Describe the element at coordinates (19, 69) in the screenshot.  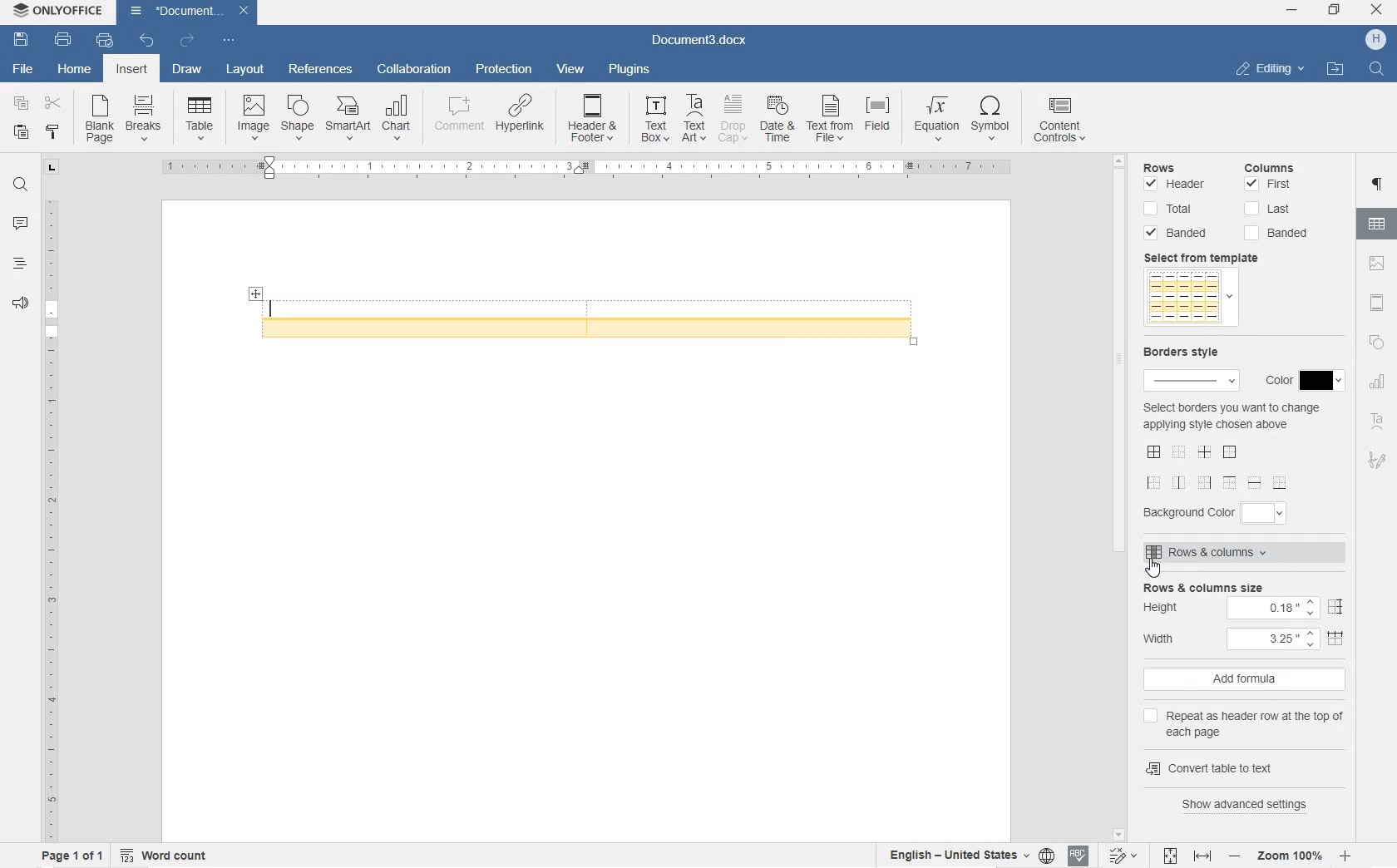
I see `FILE` at that location.